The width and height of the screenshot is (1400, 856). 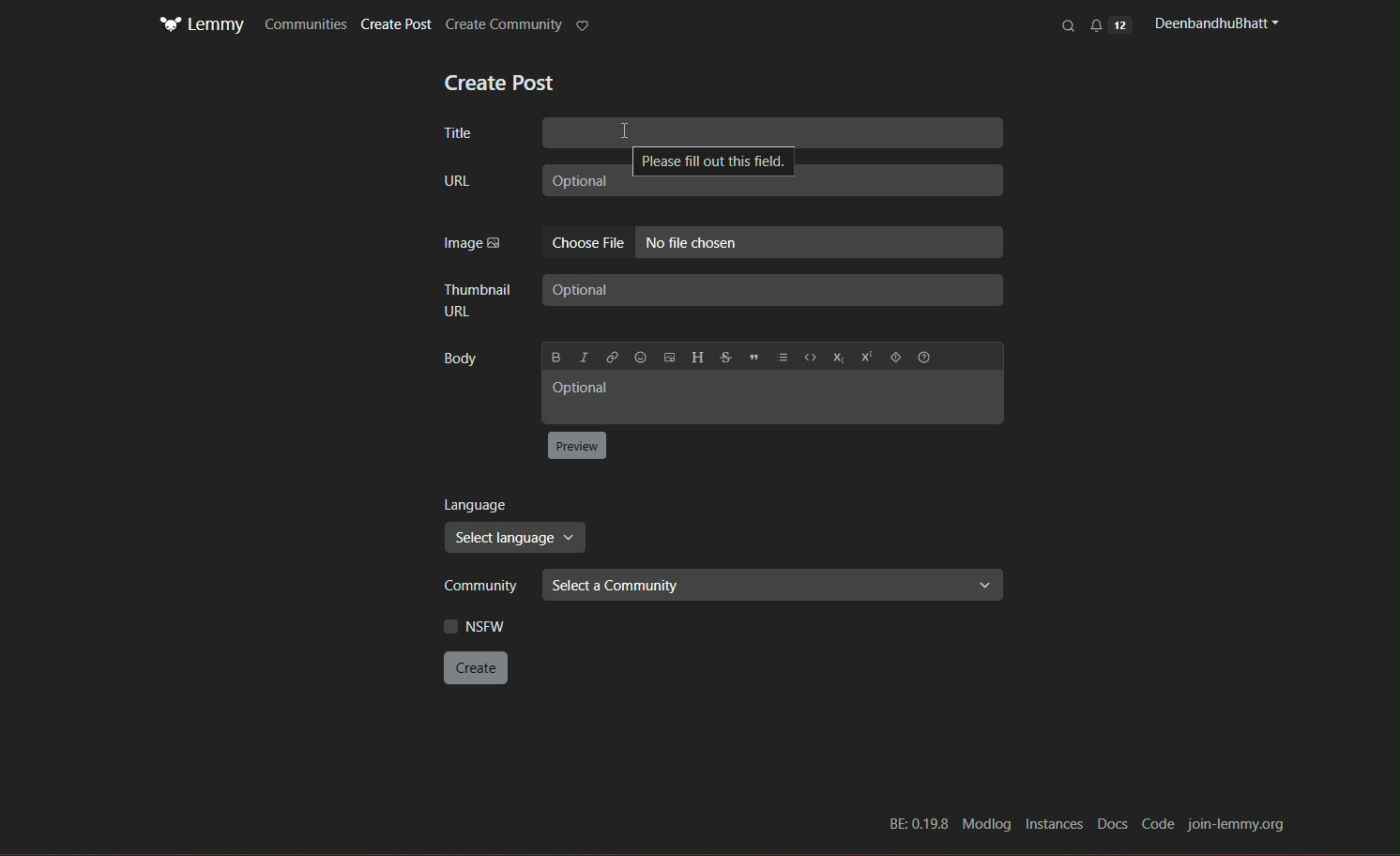 I want to click on Choose file, so click(x=588, y=243).